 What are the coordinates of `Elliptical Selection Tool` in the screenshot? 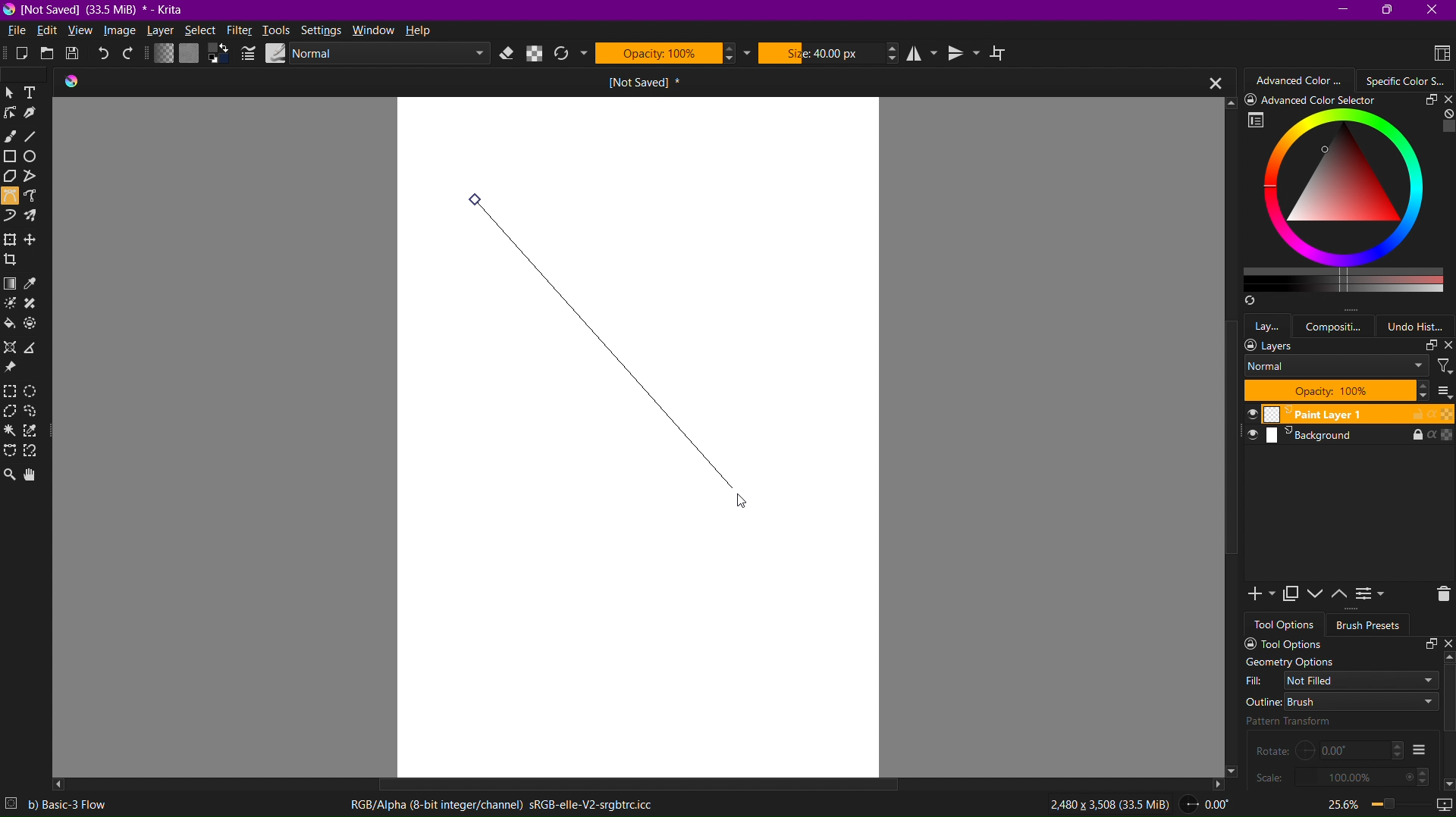 It's located at (37, 390).